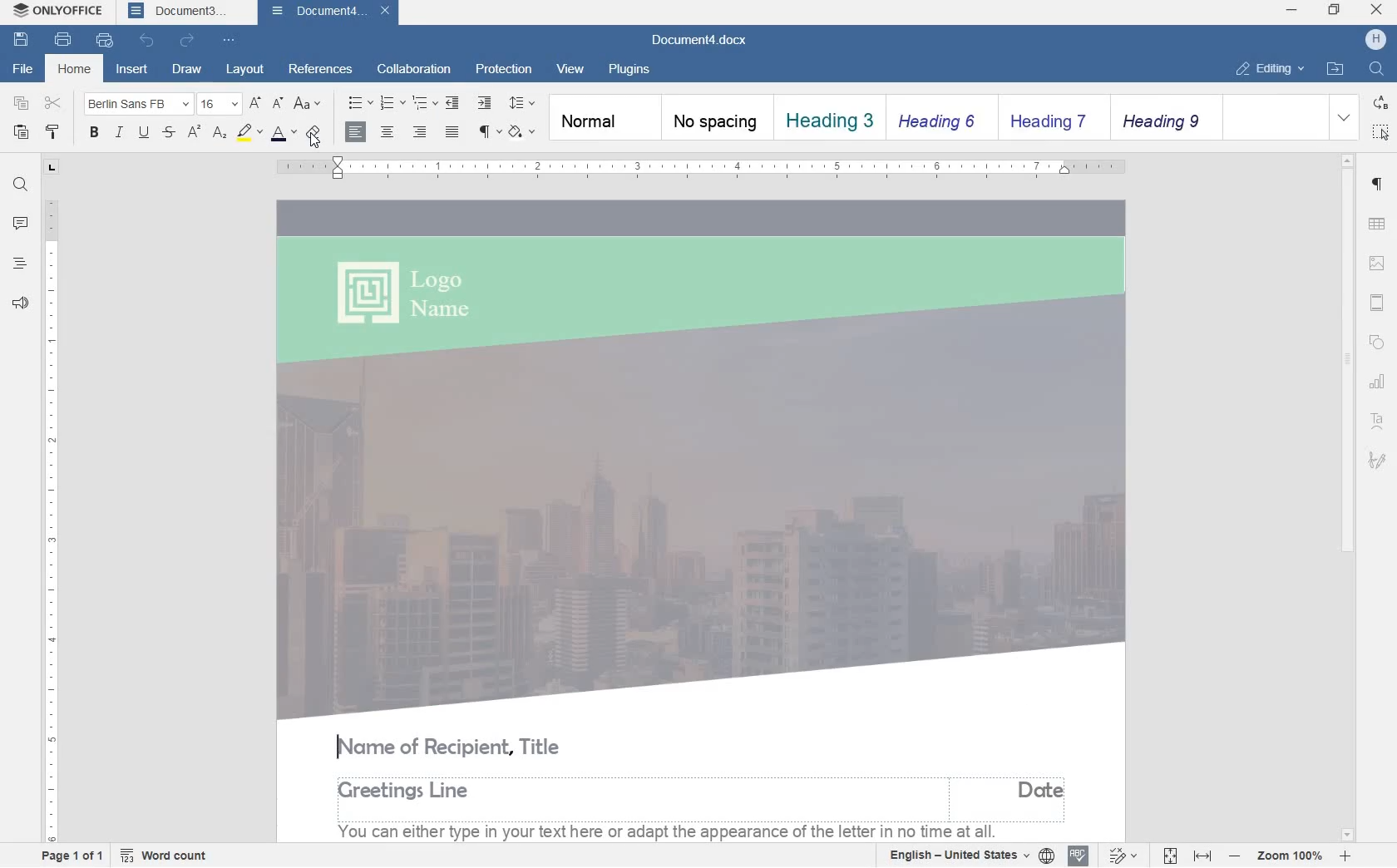 The height and width of the screenshot is (868, 1397). What do you see at coordinates (188, 69) in the screenshot?
I see `draw` at bounding box center [188, 69].